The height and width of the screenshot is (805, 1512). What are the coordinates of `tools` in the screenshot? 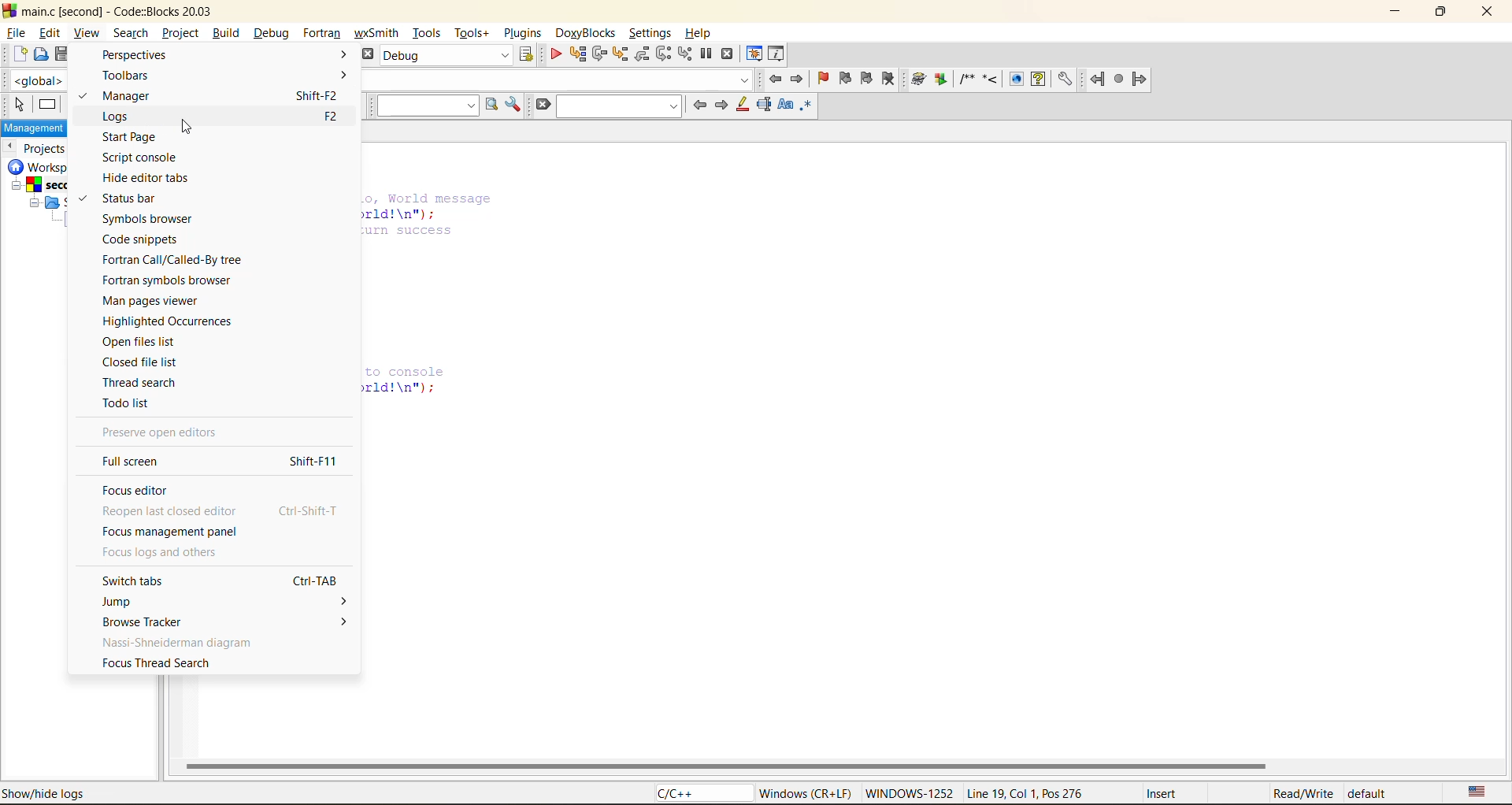 It's located at (425, 33).